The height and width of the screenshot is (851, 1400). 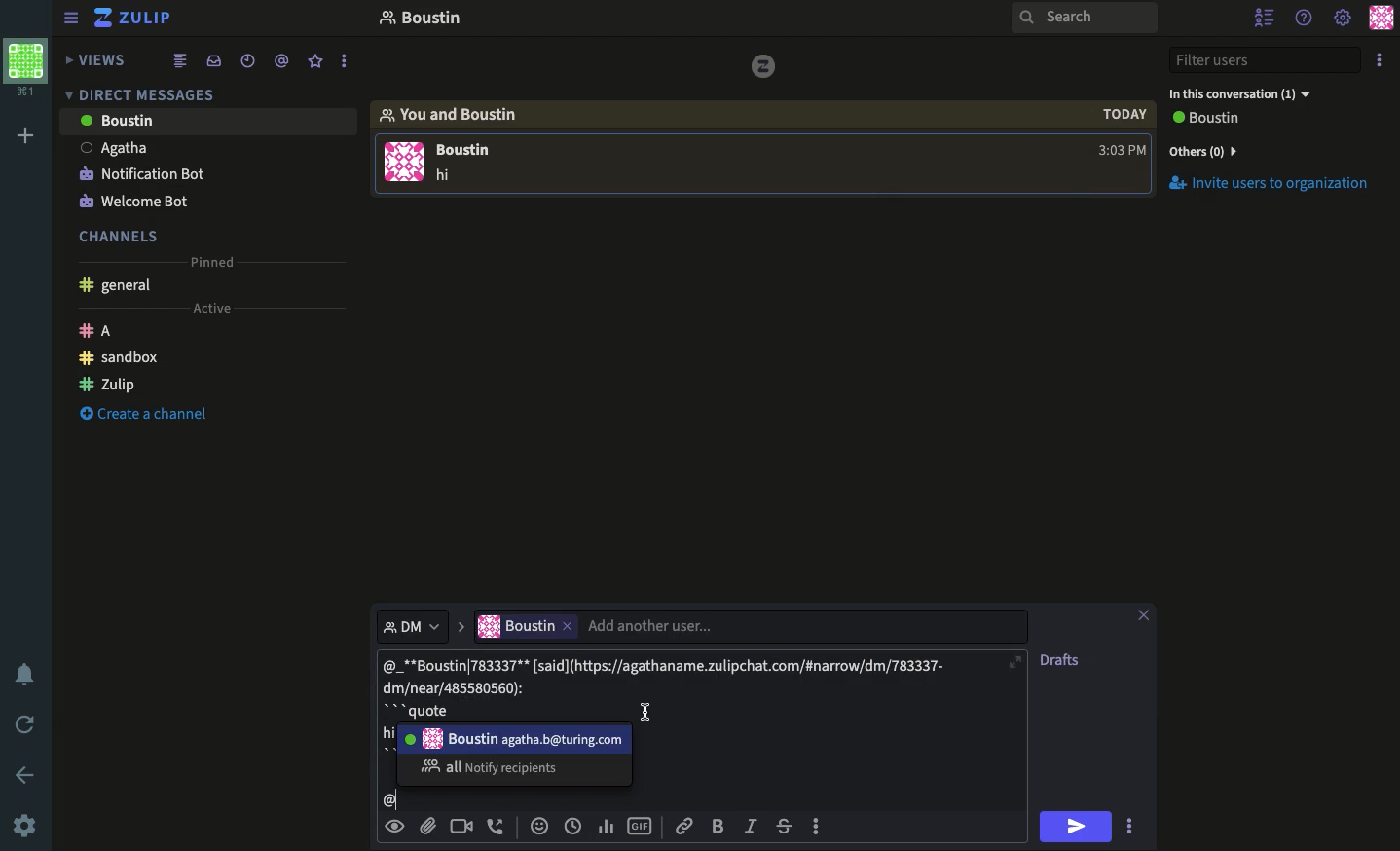 I want to click on Link, so click(x=683, y=826).